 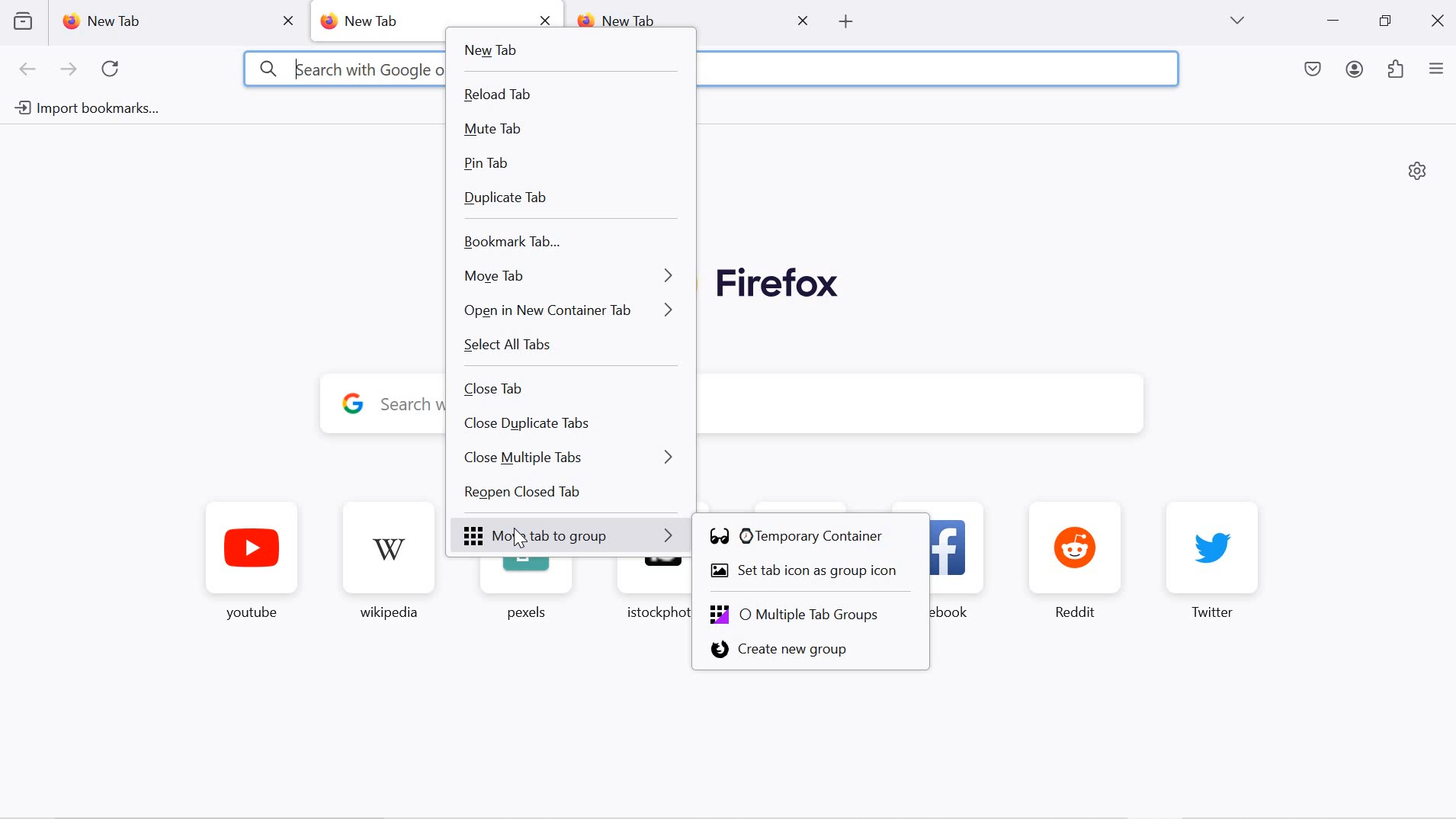 I want to click on account, so click(x=1357, y=72).